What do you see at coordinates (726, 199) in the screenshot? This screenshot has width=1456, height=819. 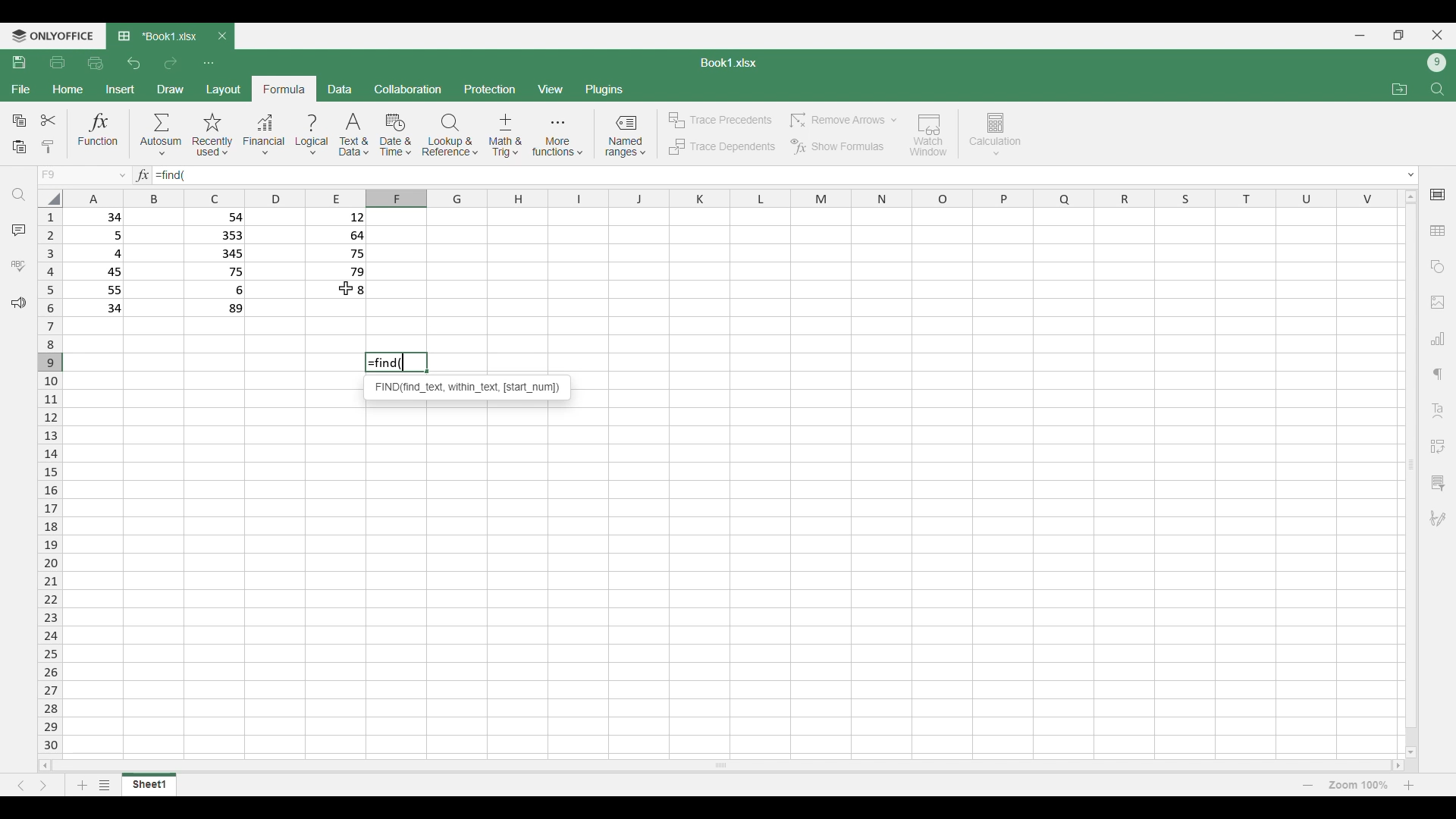 I see `Indicates columns` at bounding box center [726, 199].